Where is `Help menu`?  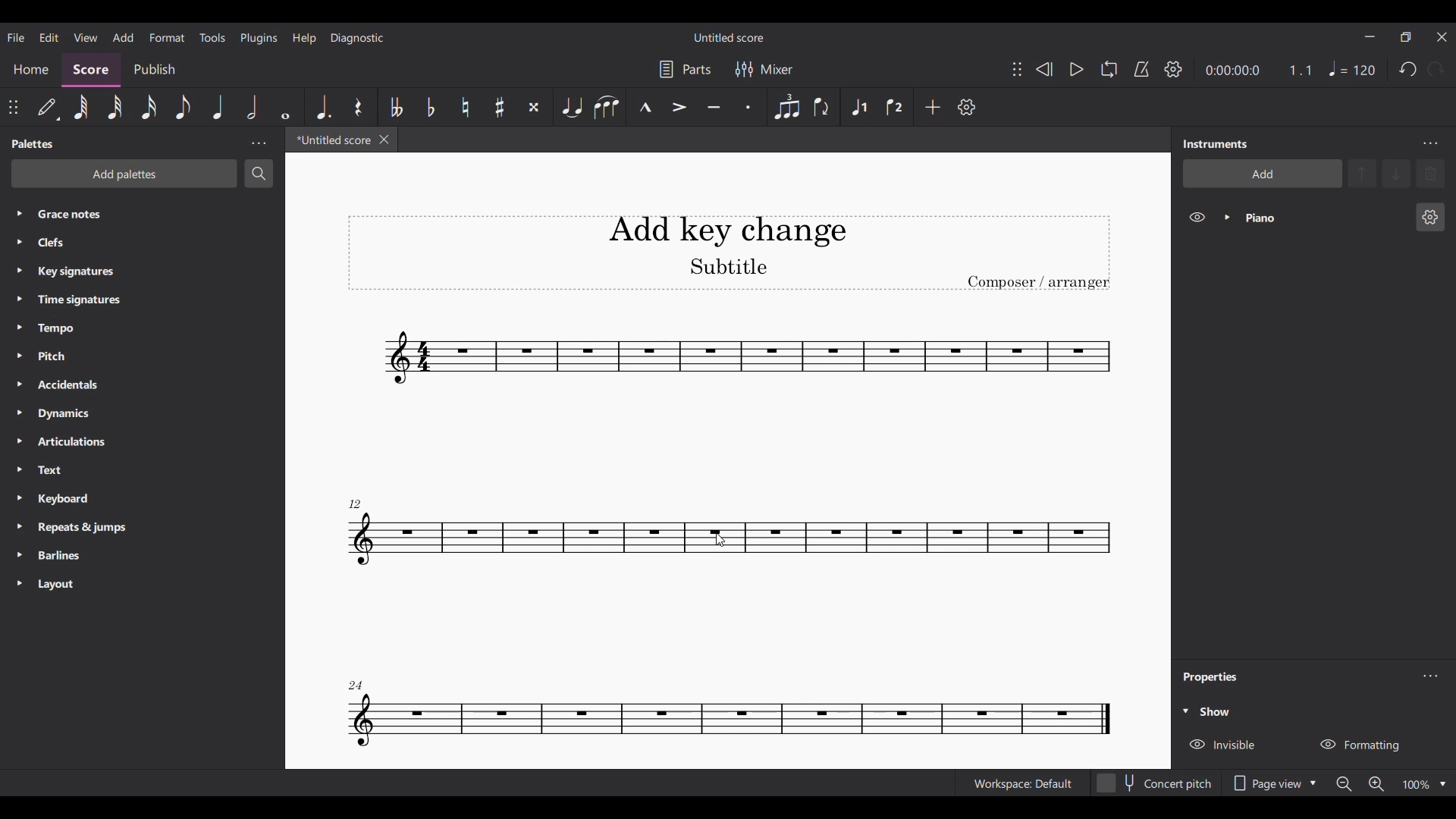 Help menu is located at coordinates (304, 37).